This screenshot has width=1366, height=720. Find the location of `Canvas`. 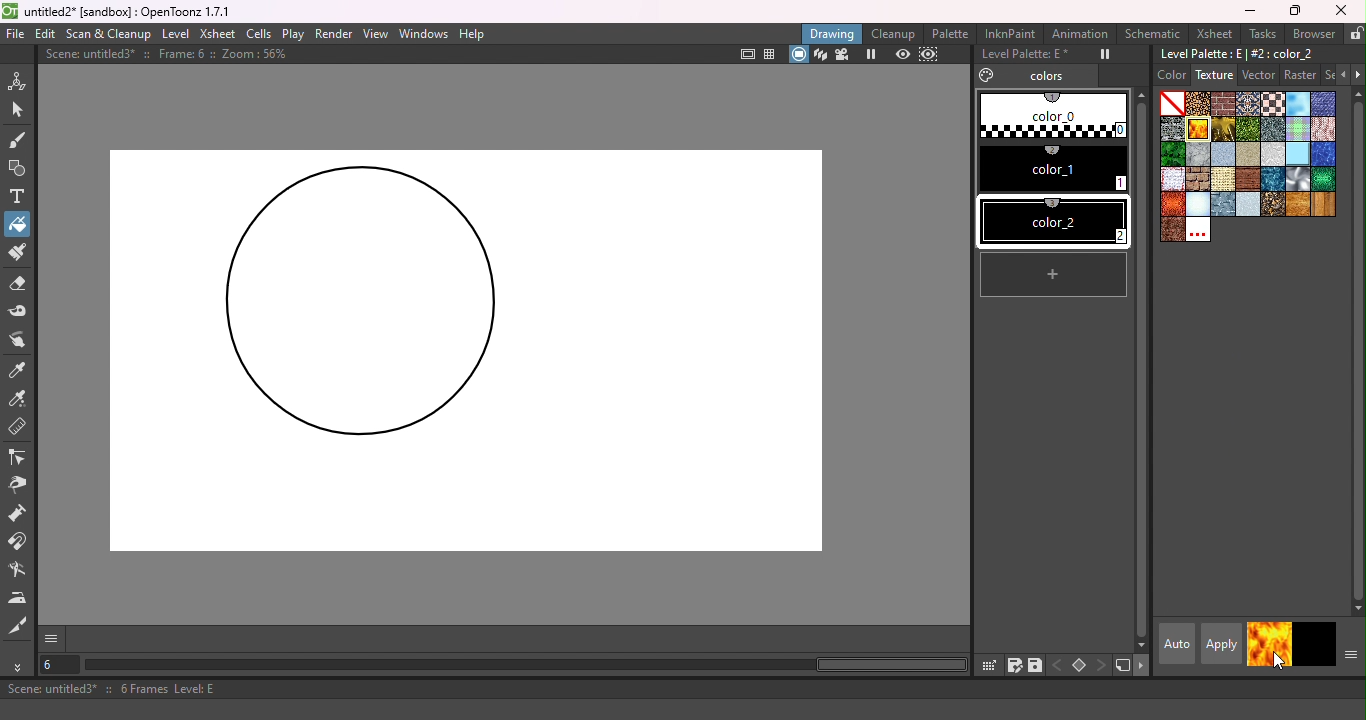

Canvas is located at coordinates (463, 349).